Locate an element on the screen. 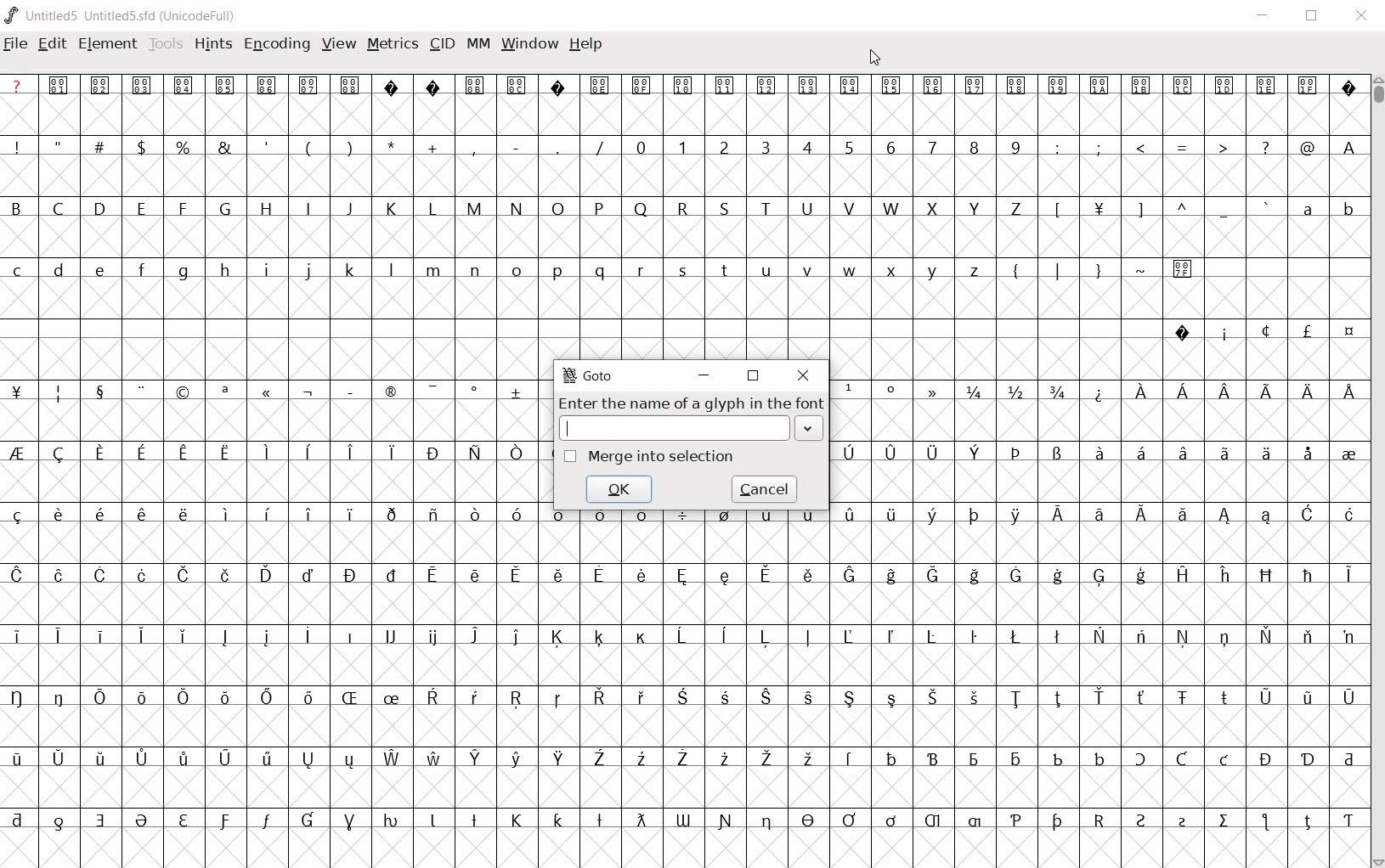 The width and height of the screenshot is (1385, 868). ok is located at coordinates (619, 488).